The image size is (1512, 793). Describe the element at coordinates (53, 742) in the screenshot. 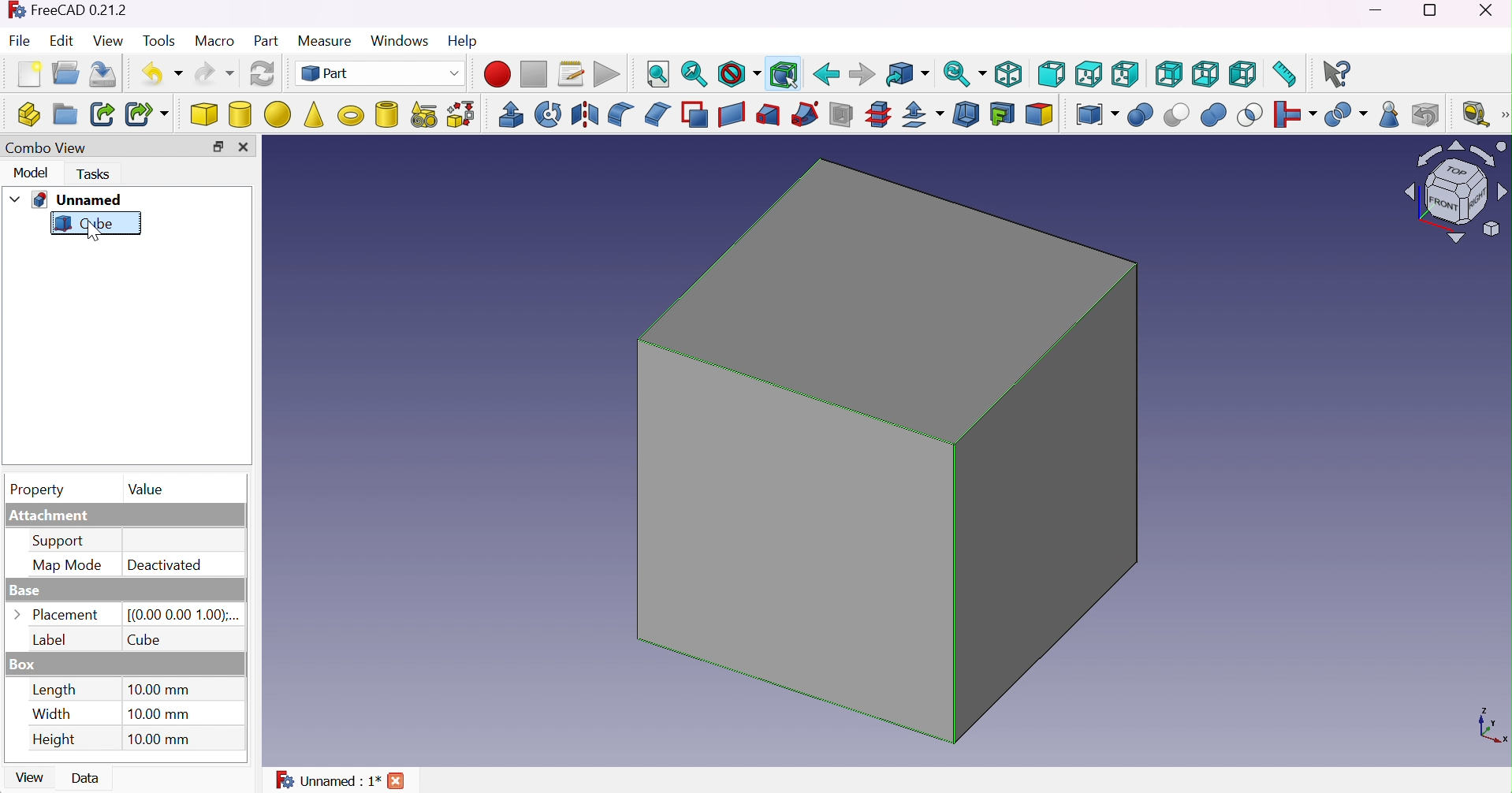

I see `Height` at that location.